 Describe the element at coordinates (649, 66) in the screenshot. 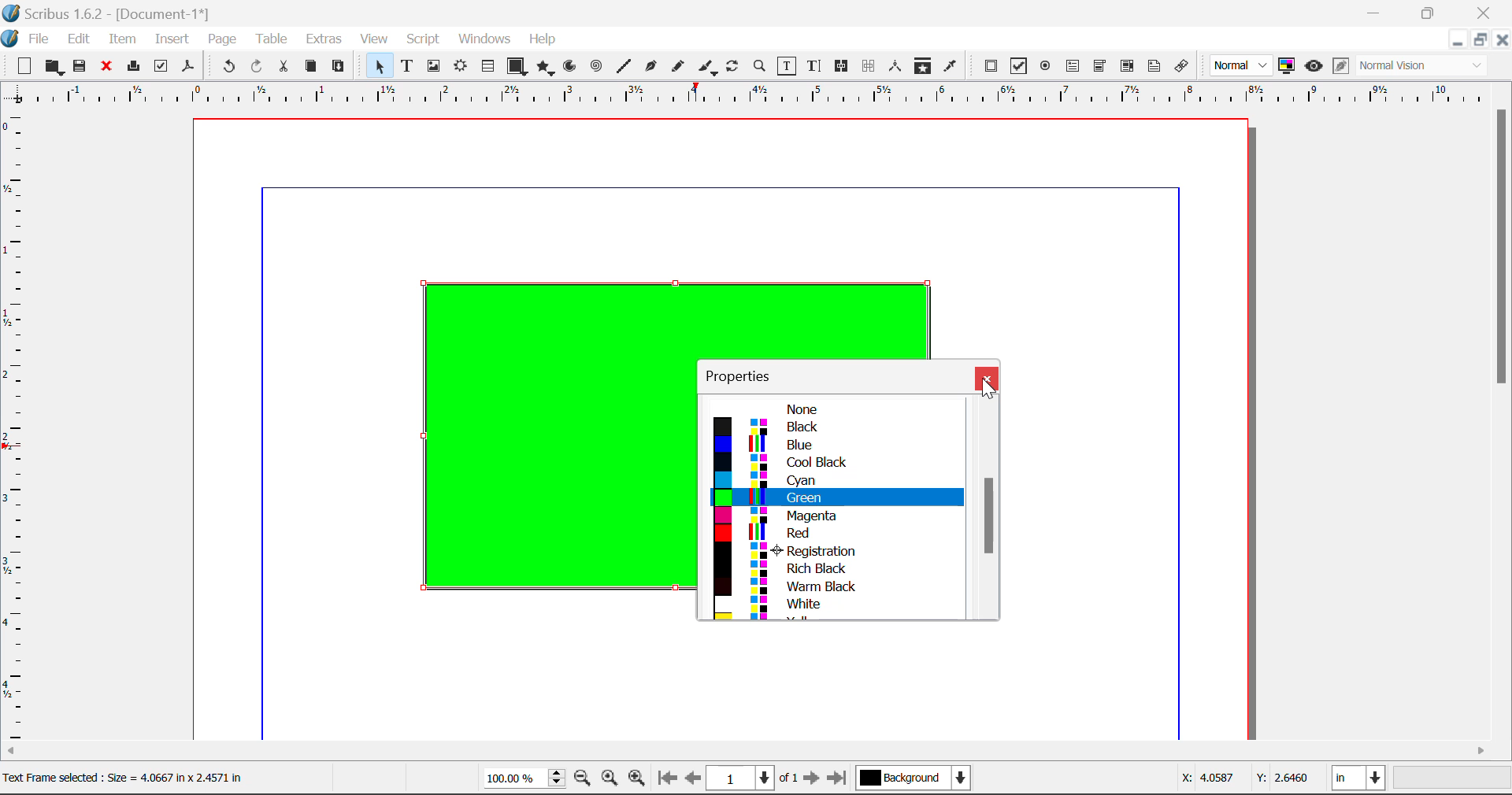

I see `Bezier Curve` at that location.